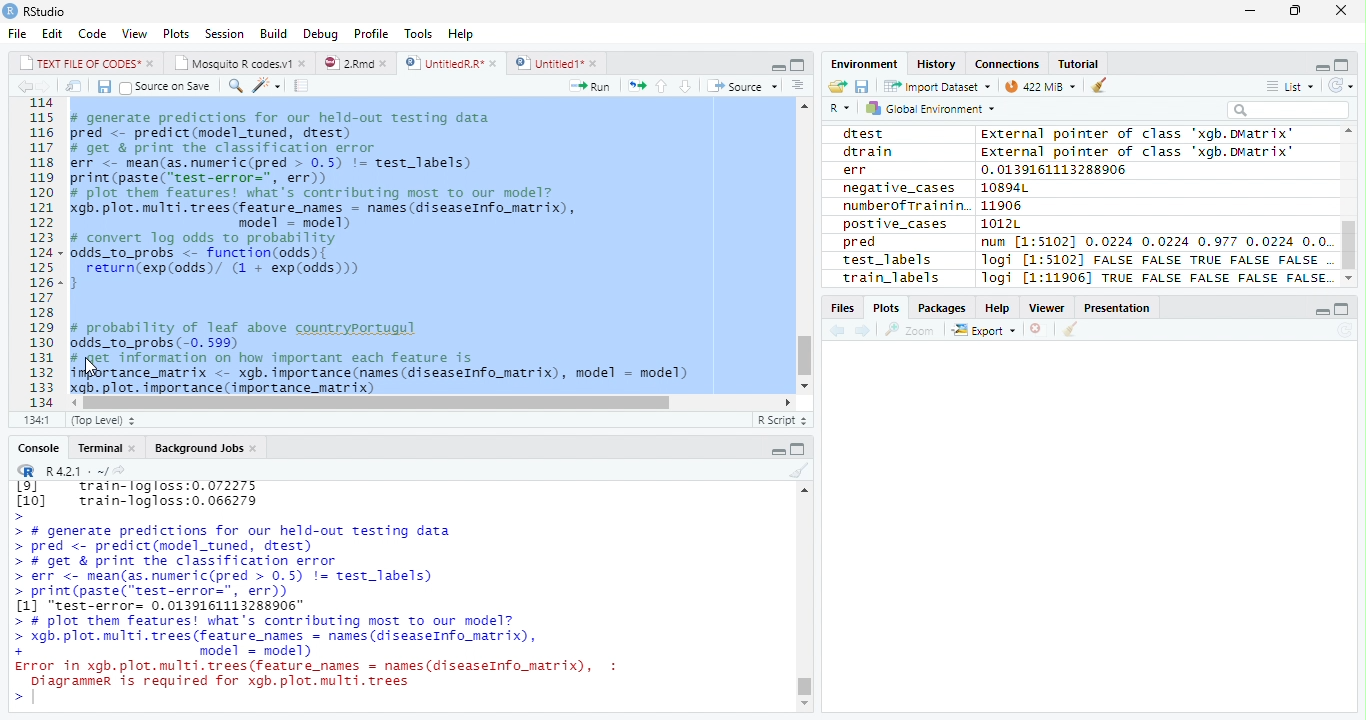  What do you see at coordinates (16, 33) in the screenshot?
I see `File` at bounding box center [16, 33].